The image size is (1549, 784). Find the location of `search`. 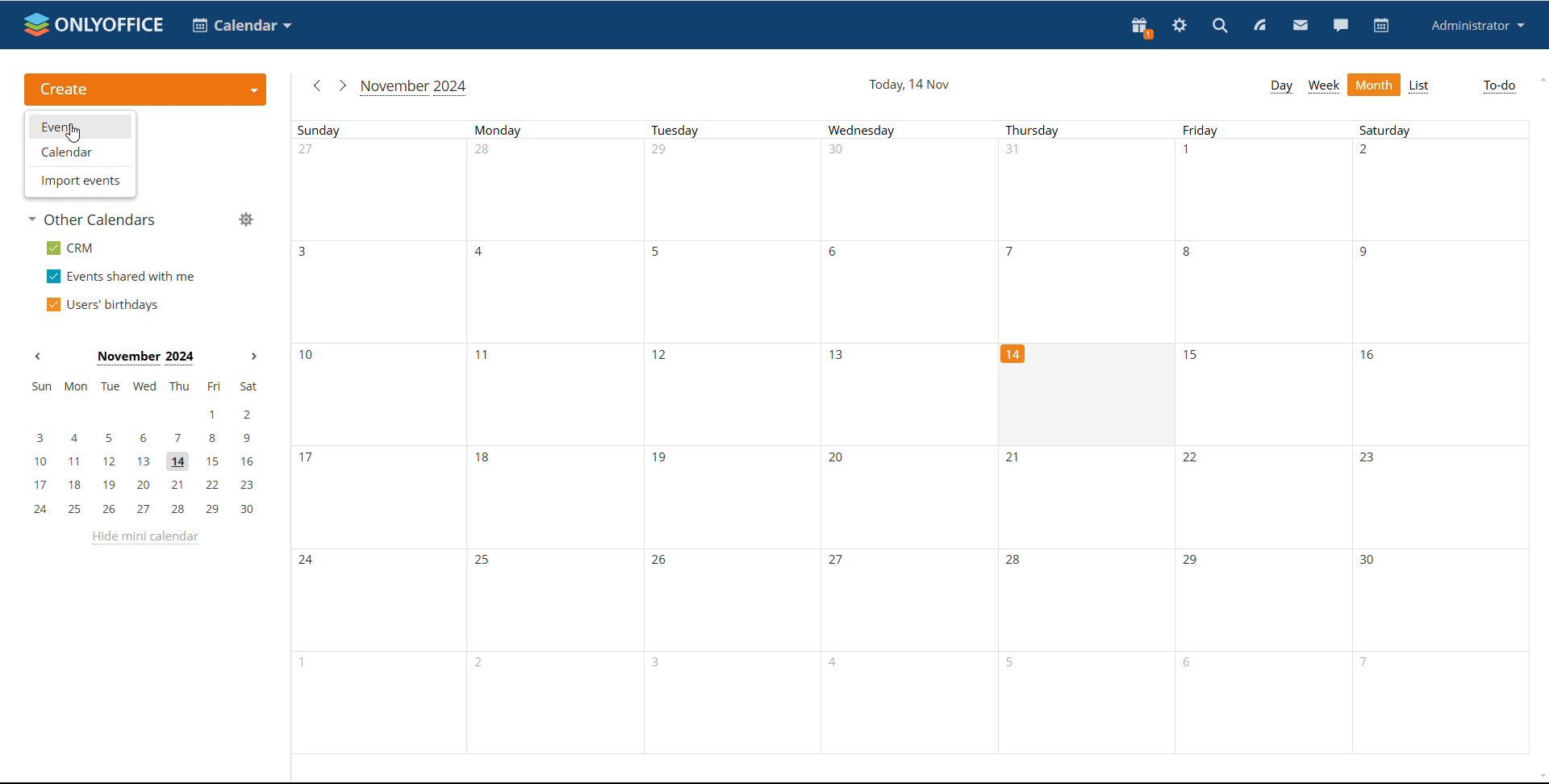

search is located at coordinates (1219, 27).